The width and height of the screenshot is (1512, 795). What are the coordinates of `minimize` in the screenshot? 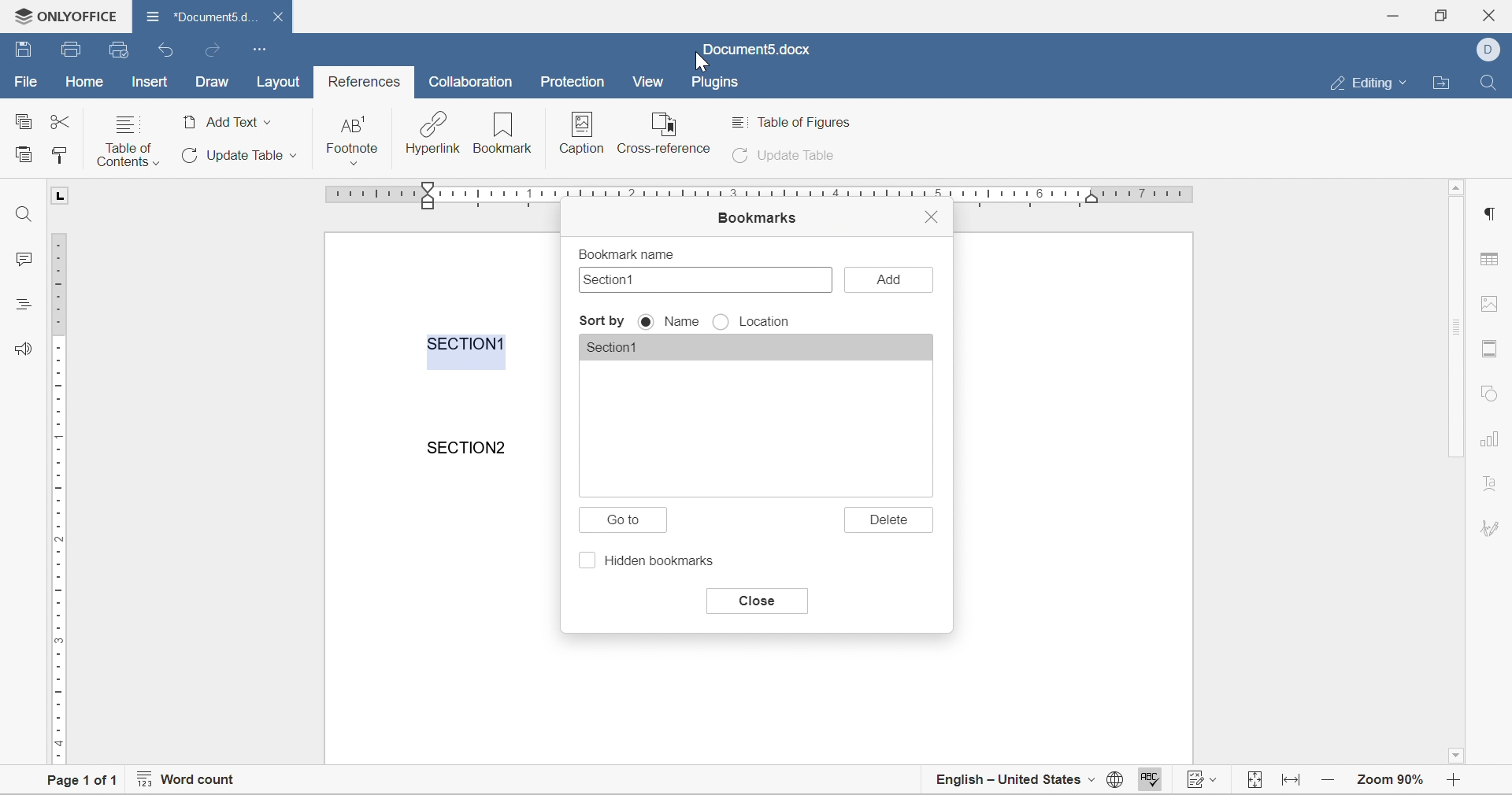 It's located at (1396, 13).